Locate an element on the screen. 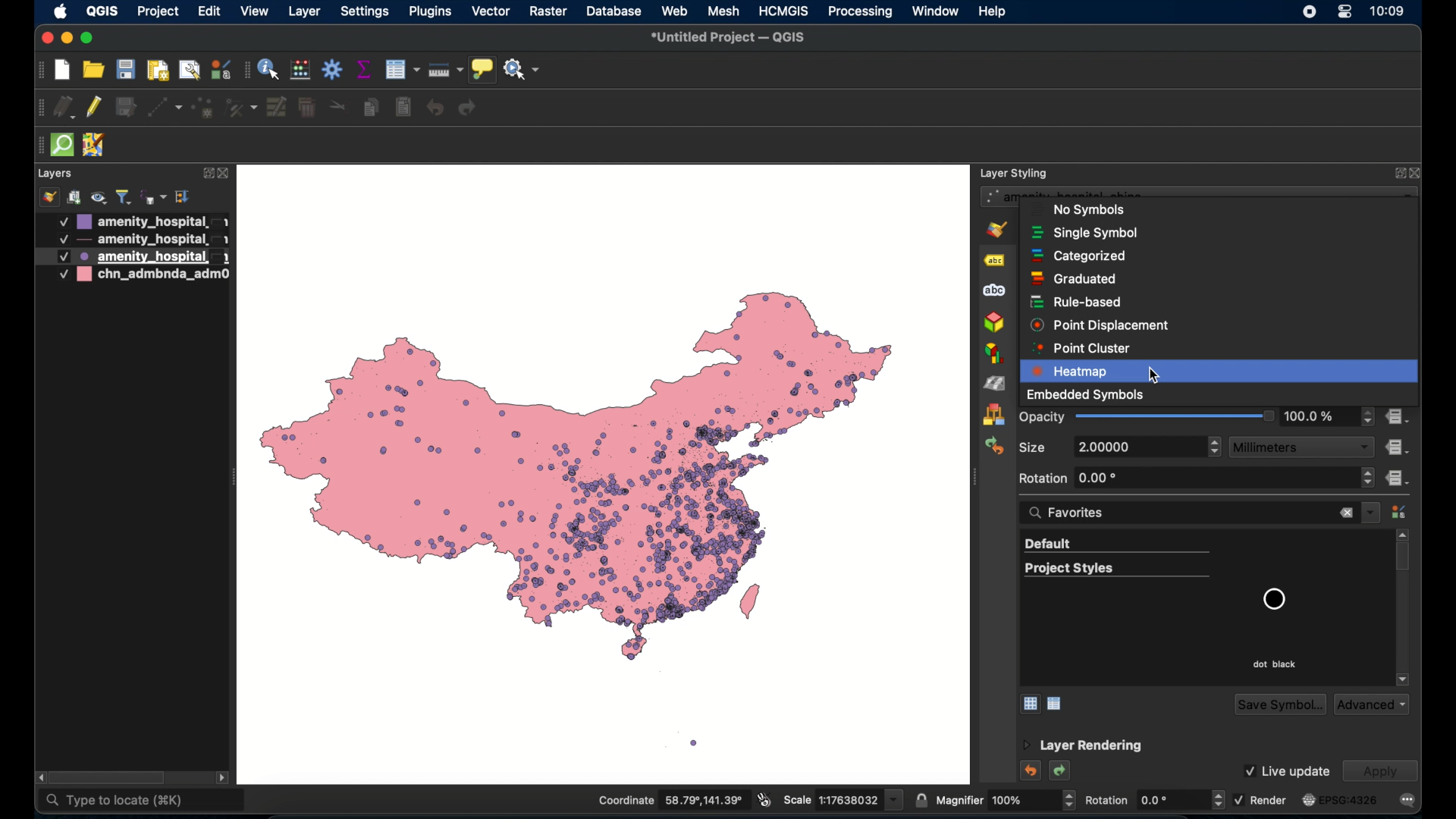 This screenshot has height=819, width=1456. data defined override is located at coordinates (1398, 446).